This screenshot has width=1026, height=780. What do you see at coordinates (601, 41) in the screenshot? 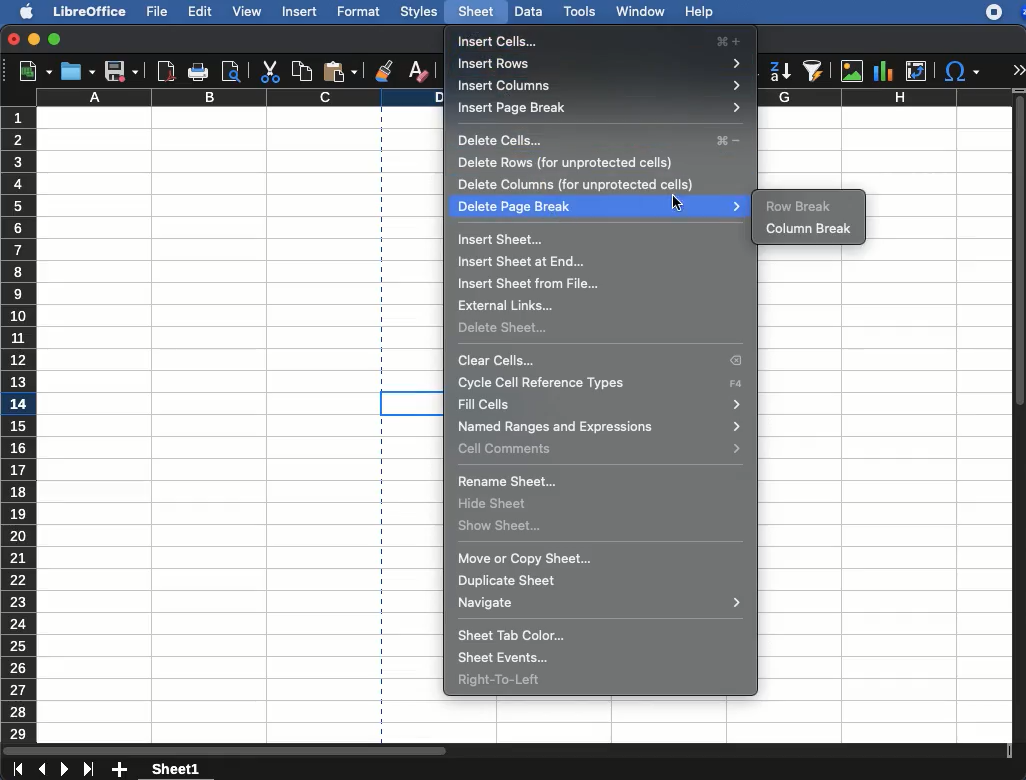
I see `insert cells` at bounding box center [601, 41].